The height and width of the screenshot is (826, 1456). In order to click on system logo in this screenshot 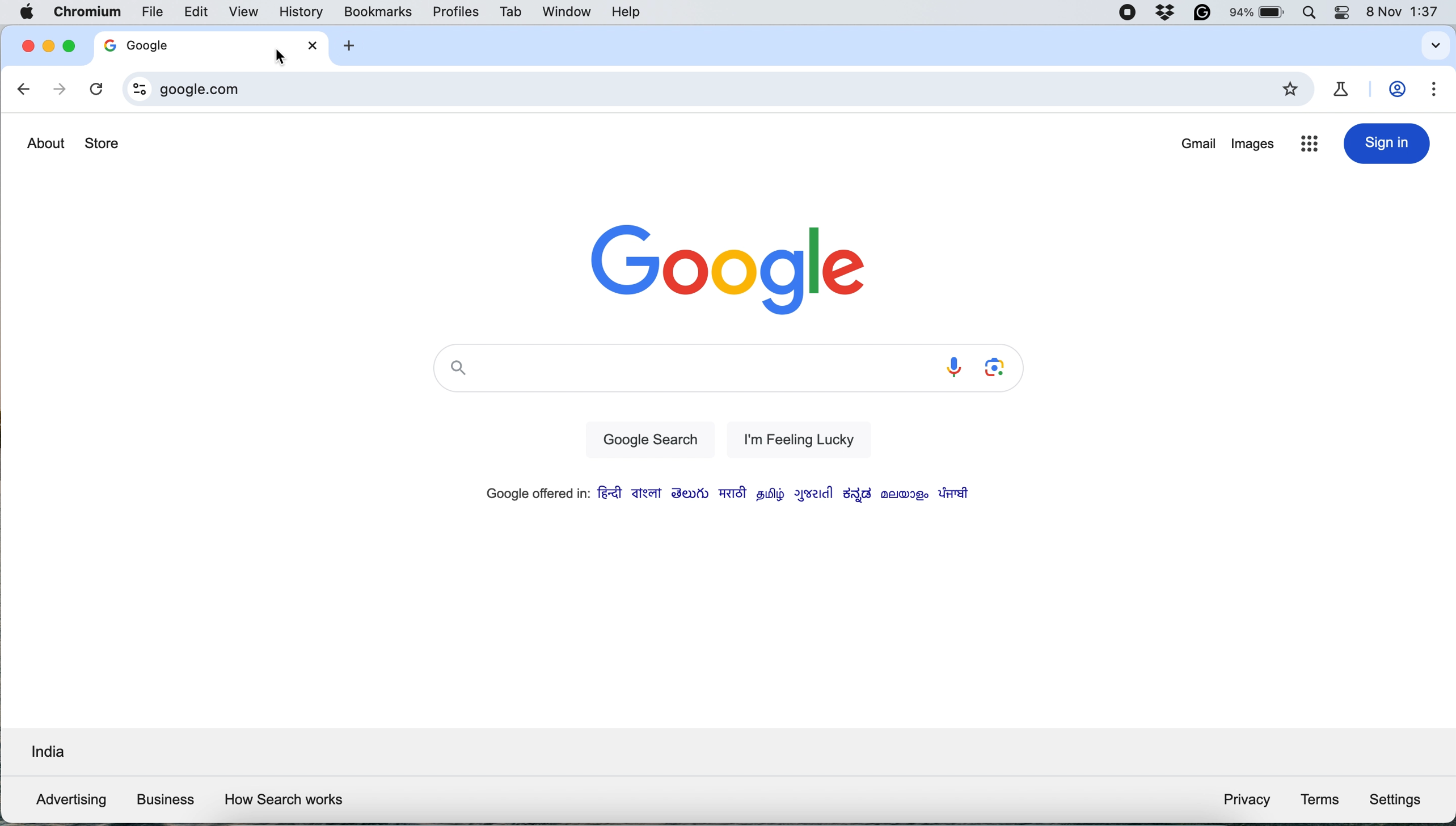, I will do `click(29, 13)`.